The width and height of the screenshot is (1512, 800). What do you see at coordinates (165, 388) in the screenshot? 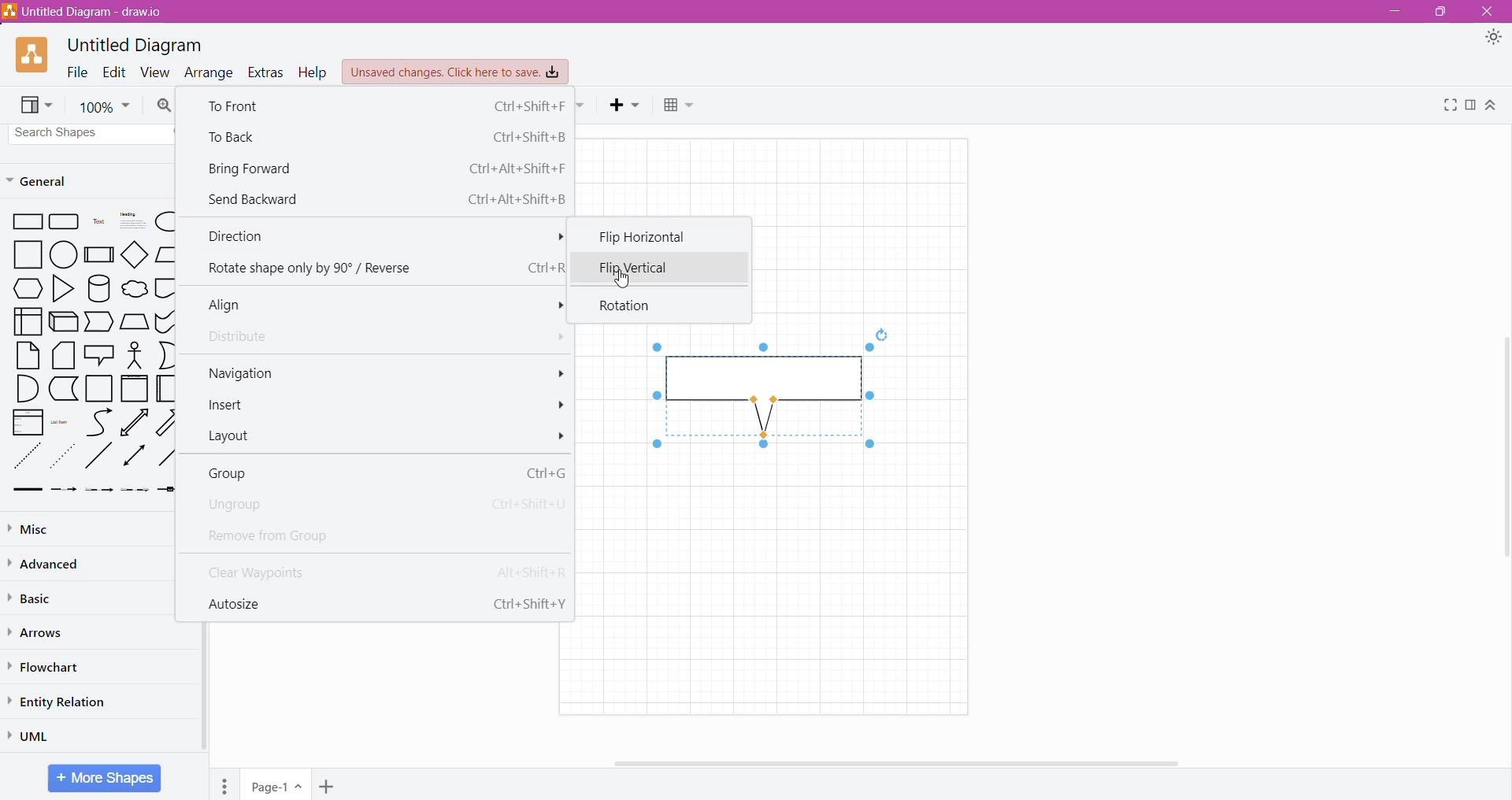
I see `Folded Paper` at bounding box center [165, 388].